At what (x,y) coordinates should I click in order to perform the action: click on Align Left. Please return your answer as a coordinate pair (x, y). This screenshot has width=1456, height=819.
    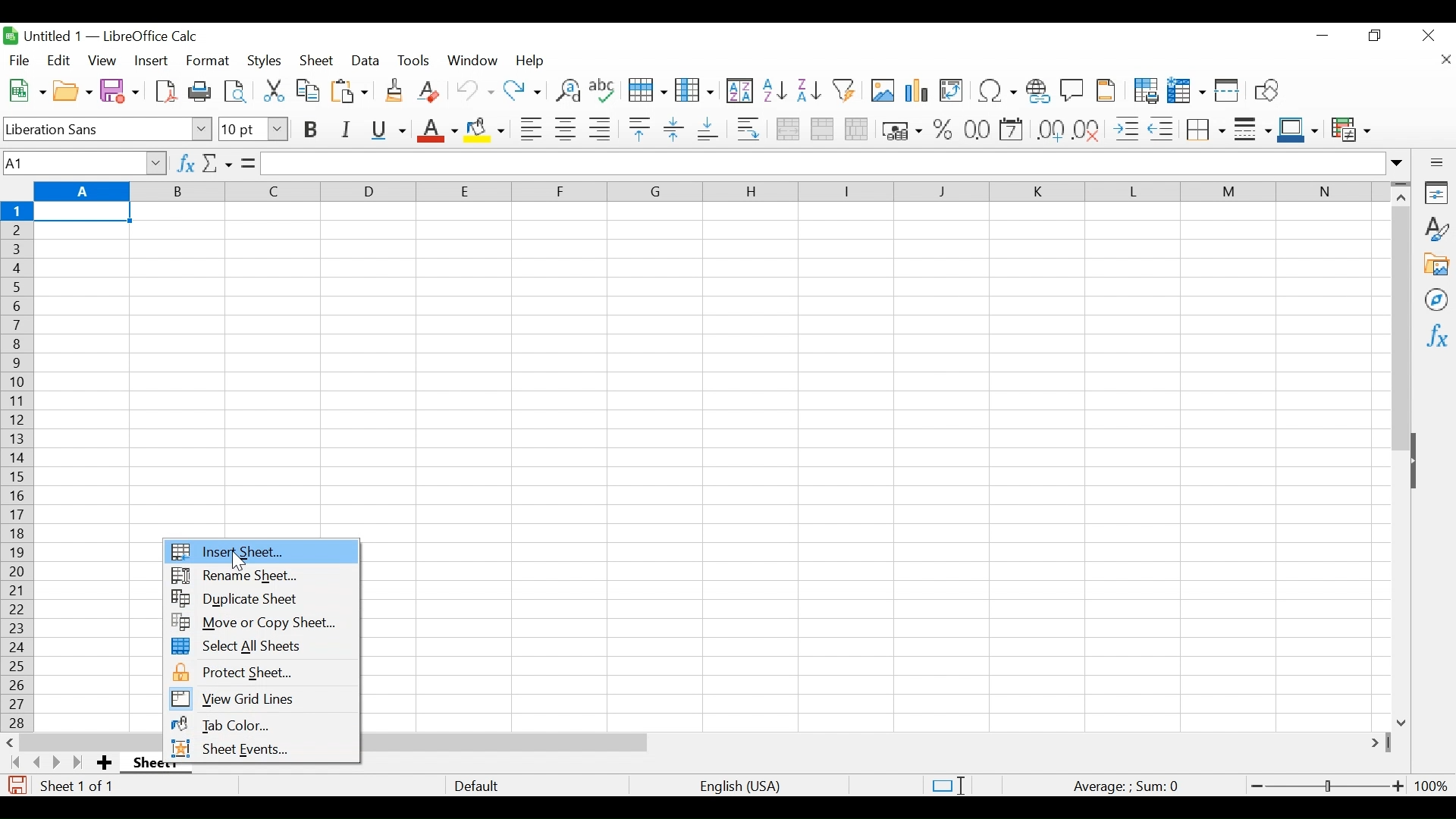
    Looking at the image, I should click on (531, 129).